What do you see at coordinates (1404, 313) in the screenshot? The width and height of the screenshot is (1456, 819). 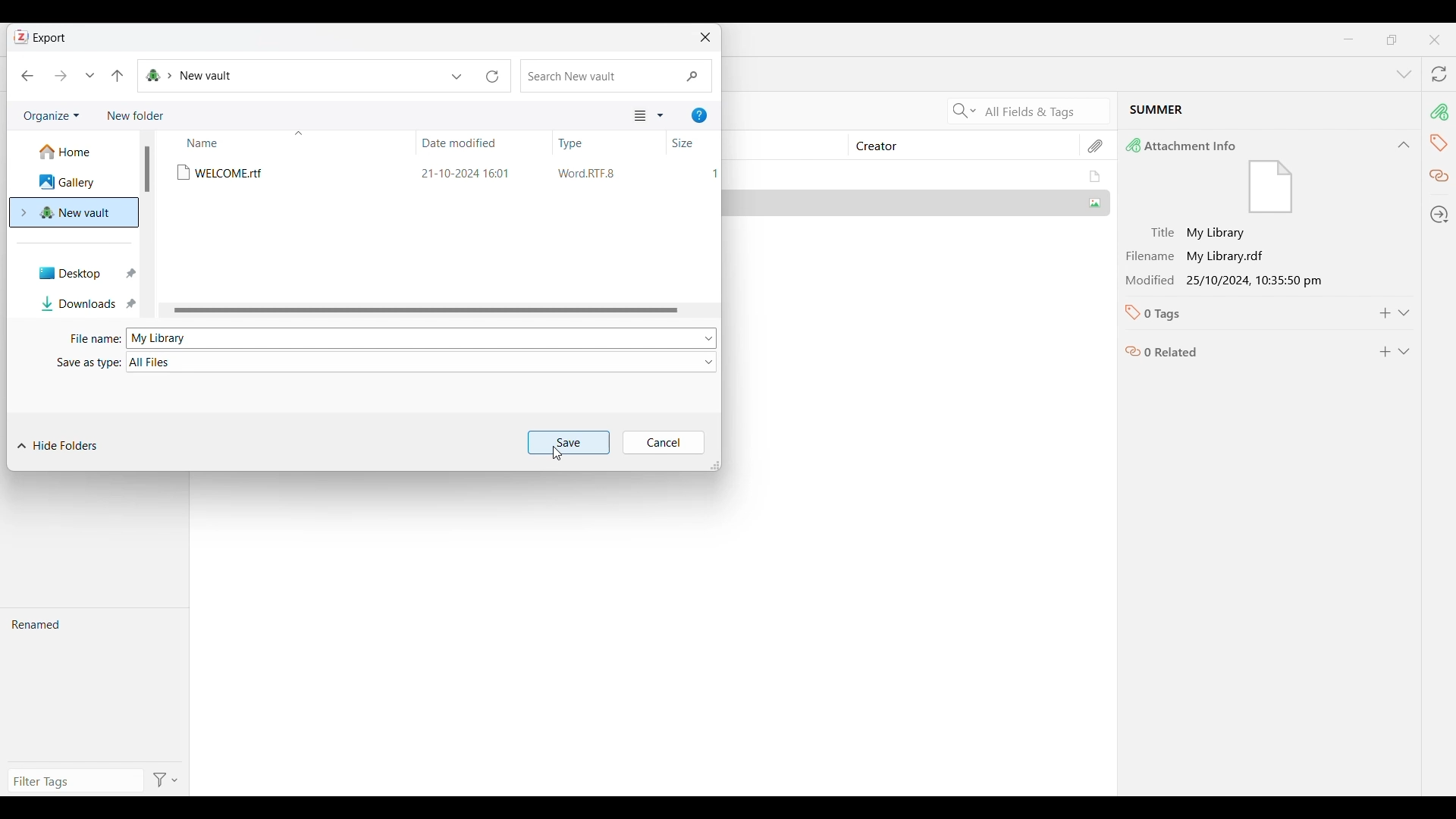 I see `Expand` at bounding box center [1404, 313].